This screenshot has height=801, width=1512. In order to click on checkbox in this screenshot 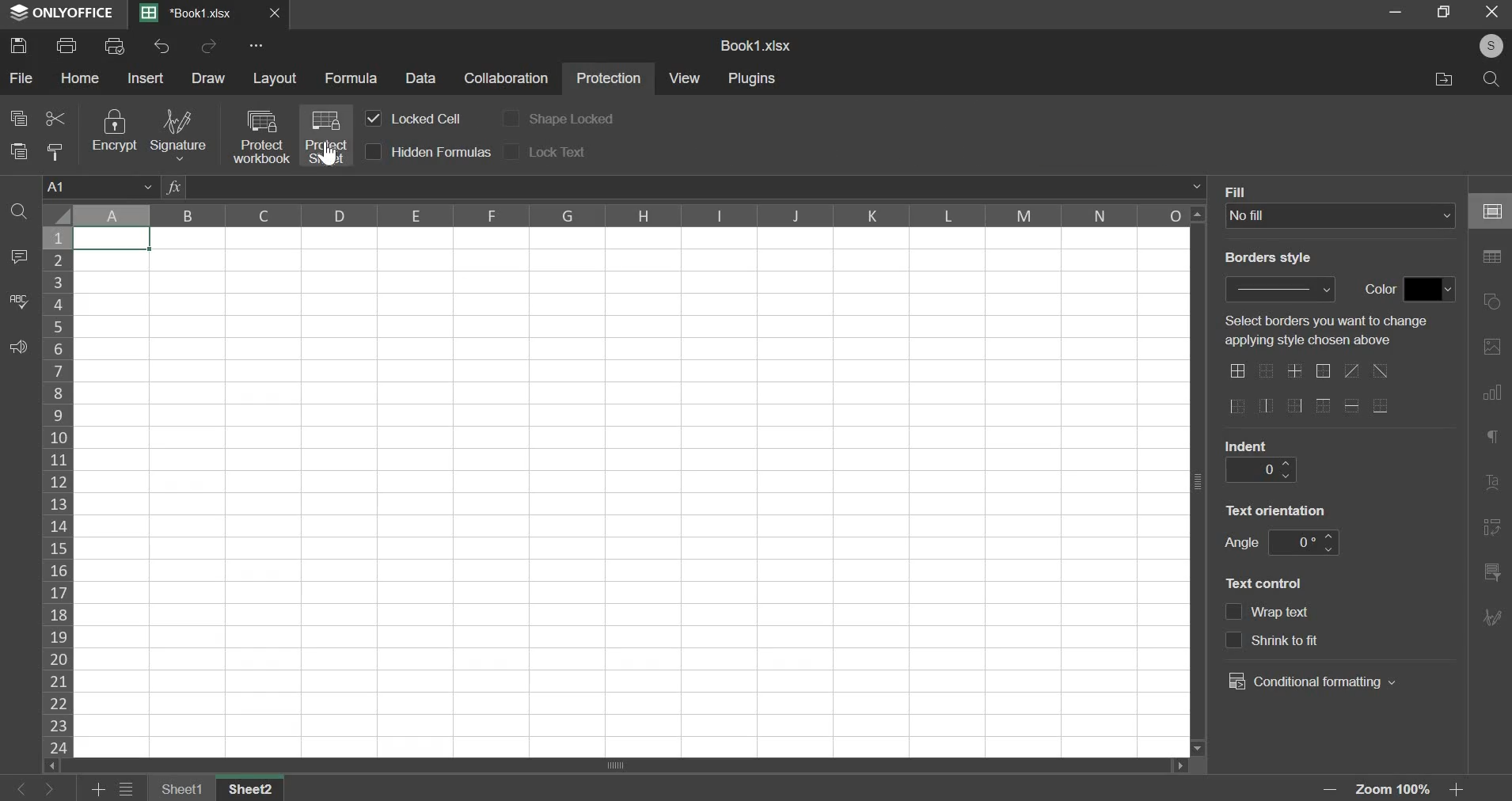, I will do `click(514, 150)`.